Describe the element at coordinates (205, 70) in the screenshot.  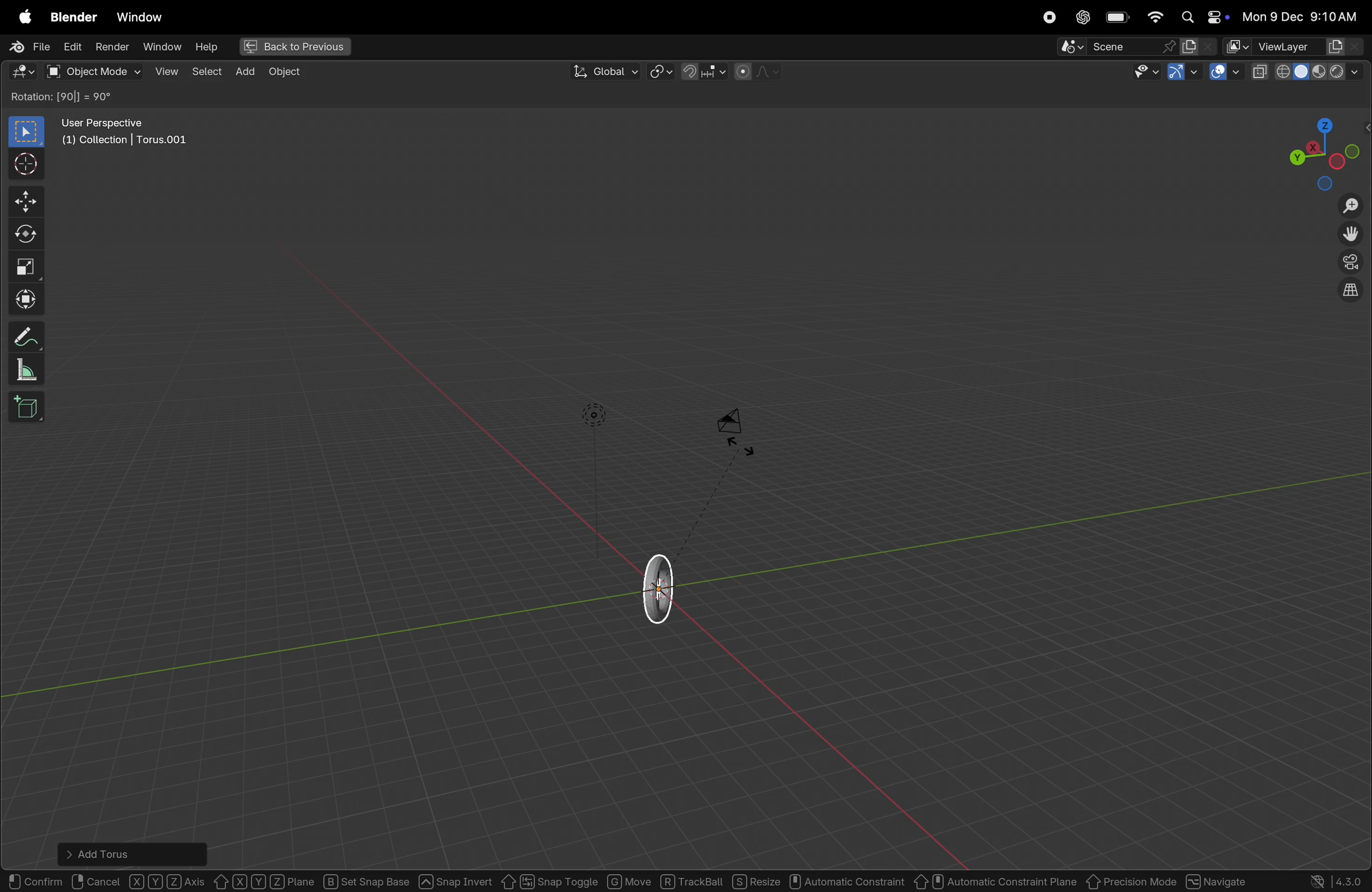
I see `select` at that location.